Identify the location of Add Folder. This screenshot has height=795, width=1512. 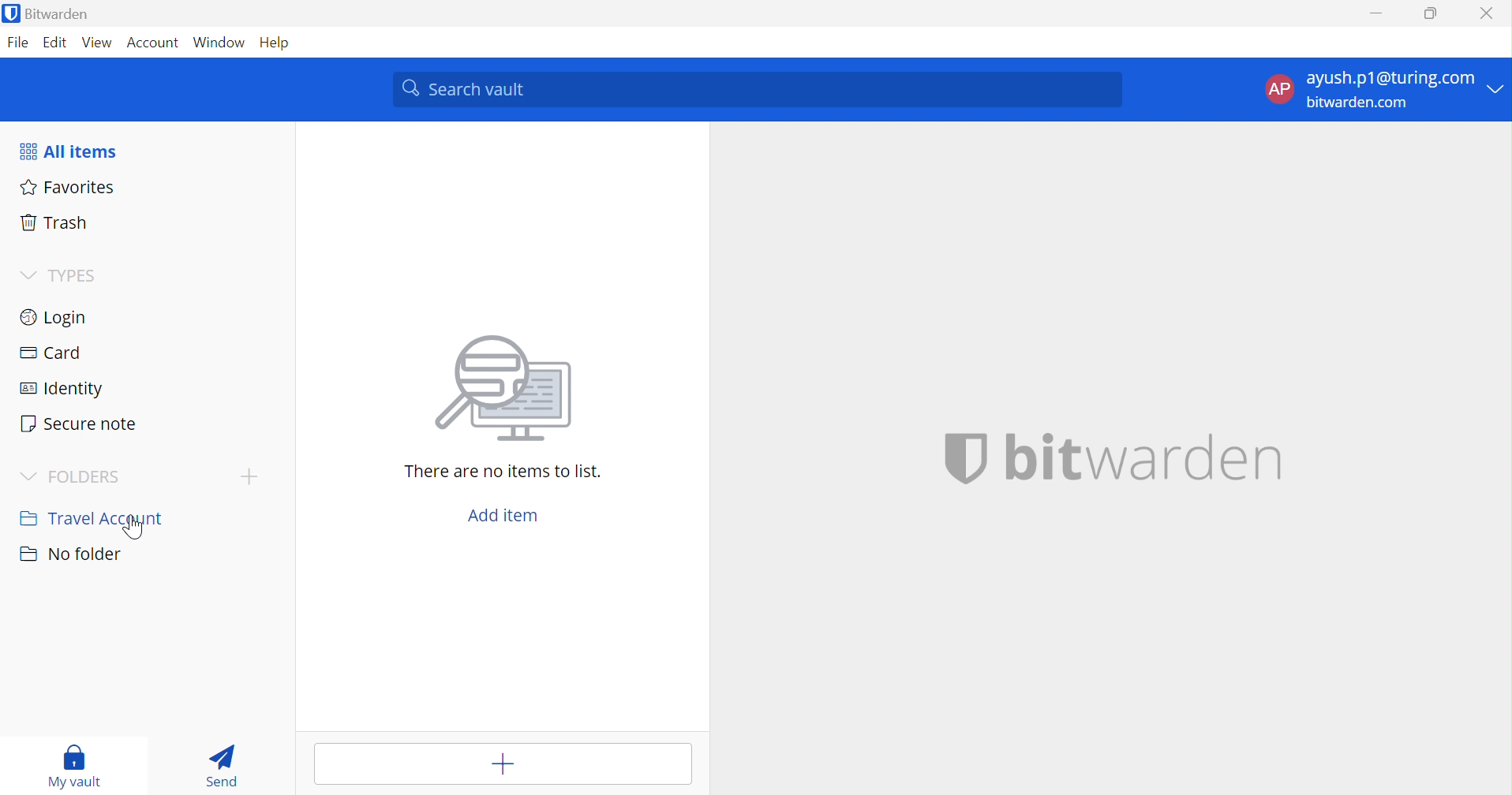
(249, 478).